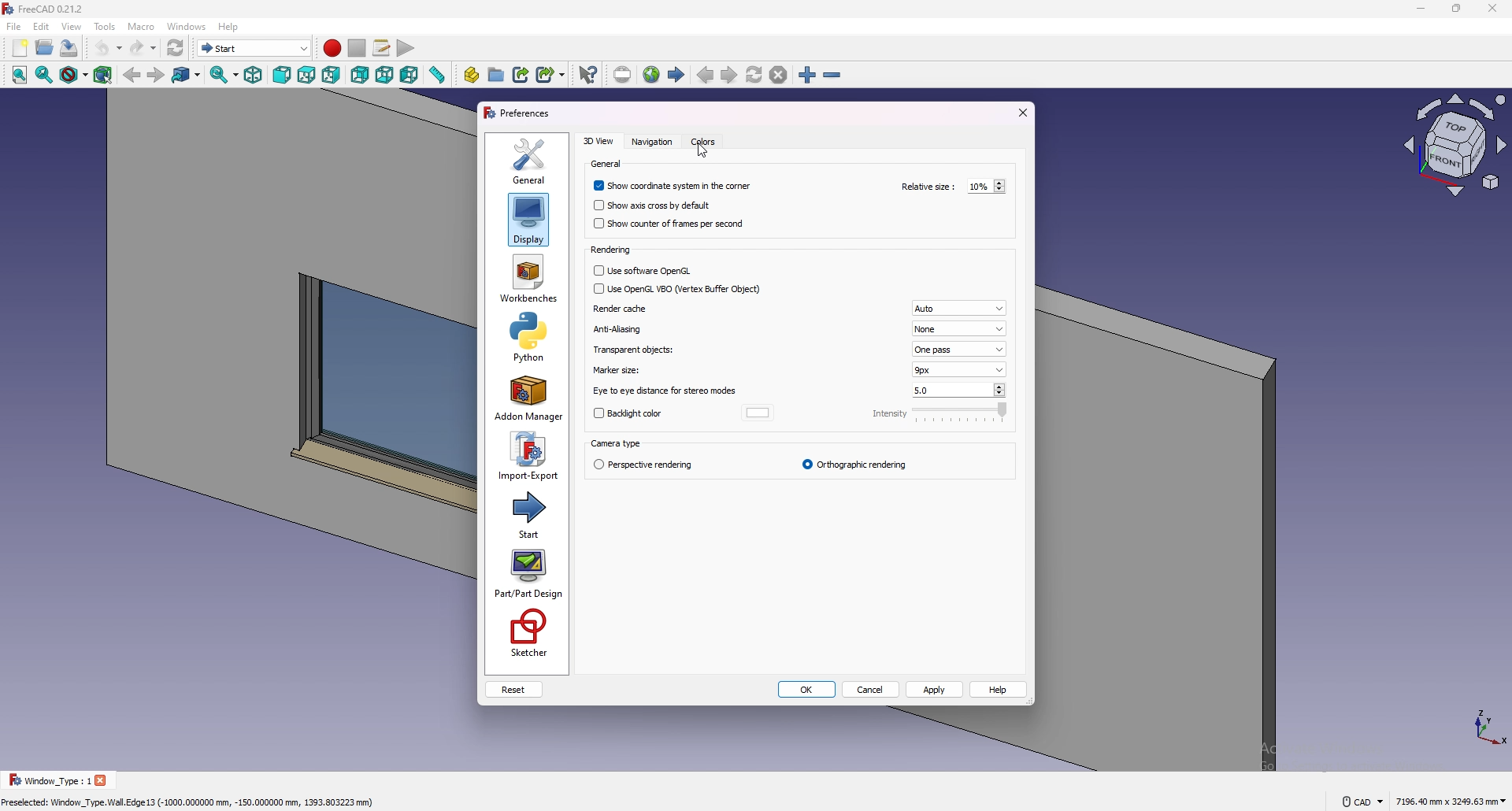 The width and height of the screenshot is (1512, 811). Describe the element at coordinates (1362, 800) in the screenshot. I see `cad` at that location.